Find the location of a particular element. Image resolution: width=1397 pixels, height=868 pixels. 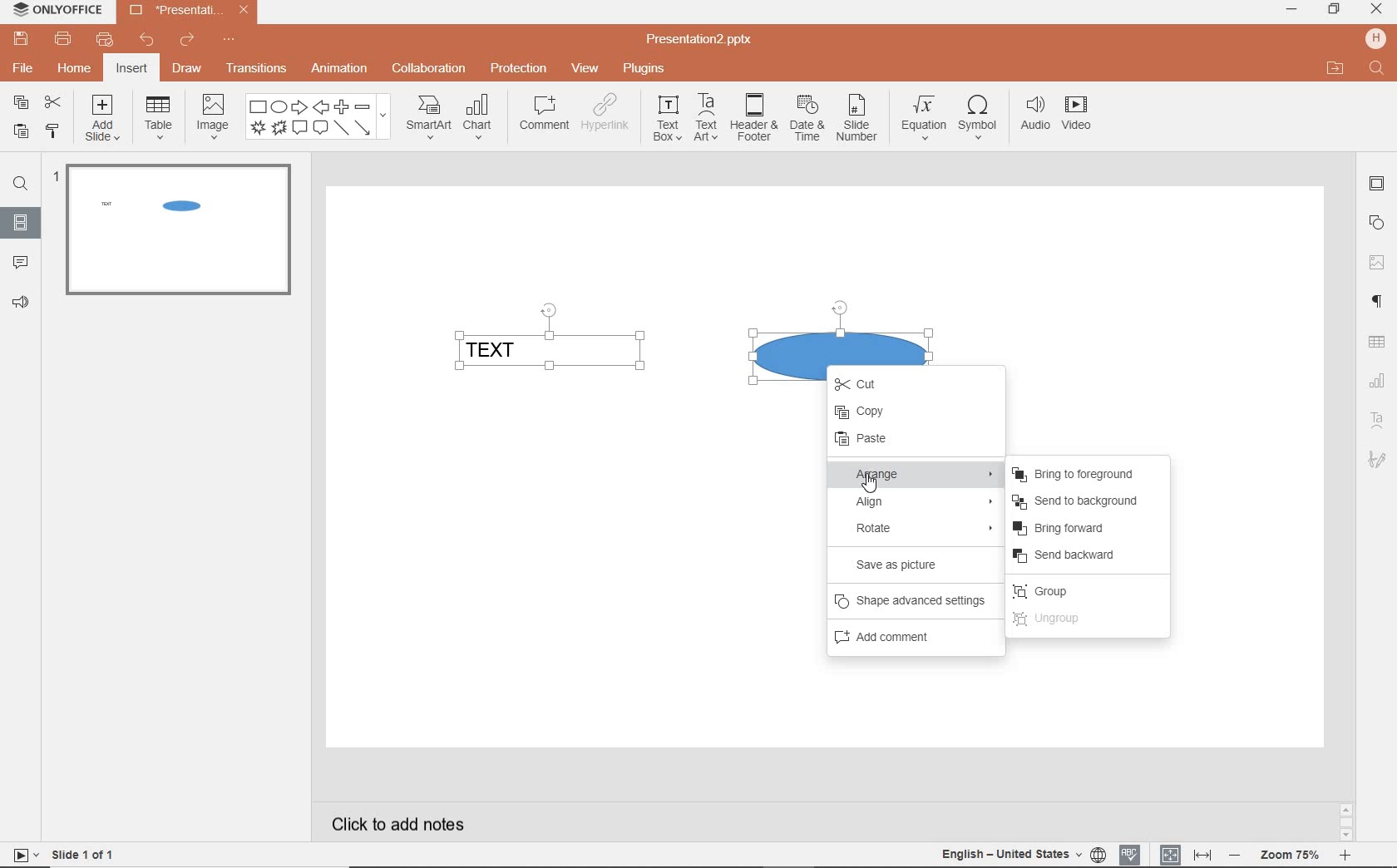

protection is located at coordinates (518, 68).